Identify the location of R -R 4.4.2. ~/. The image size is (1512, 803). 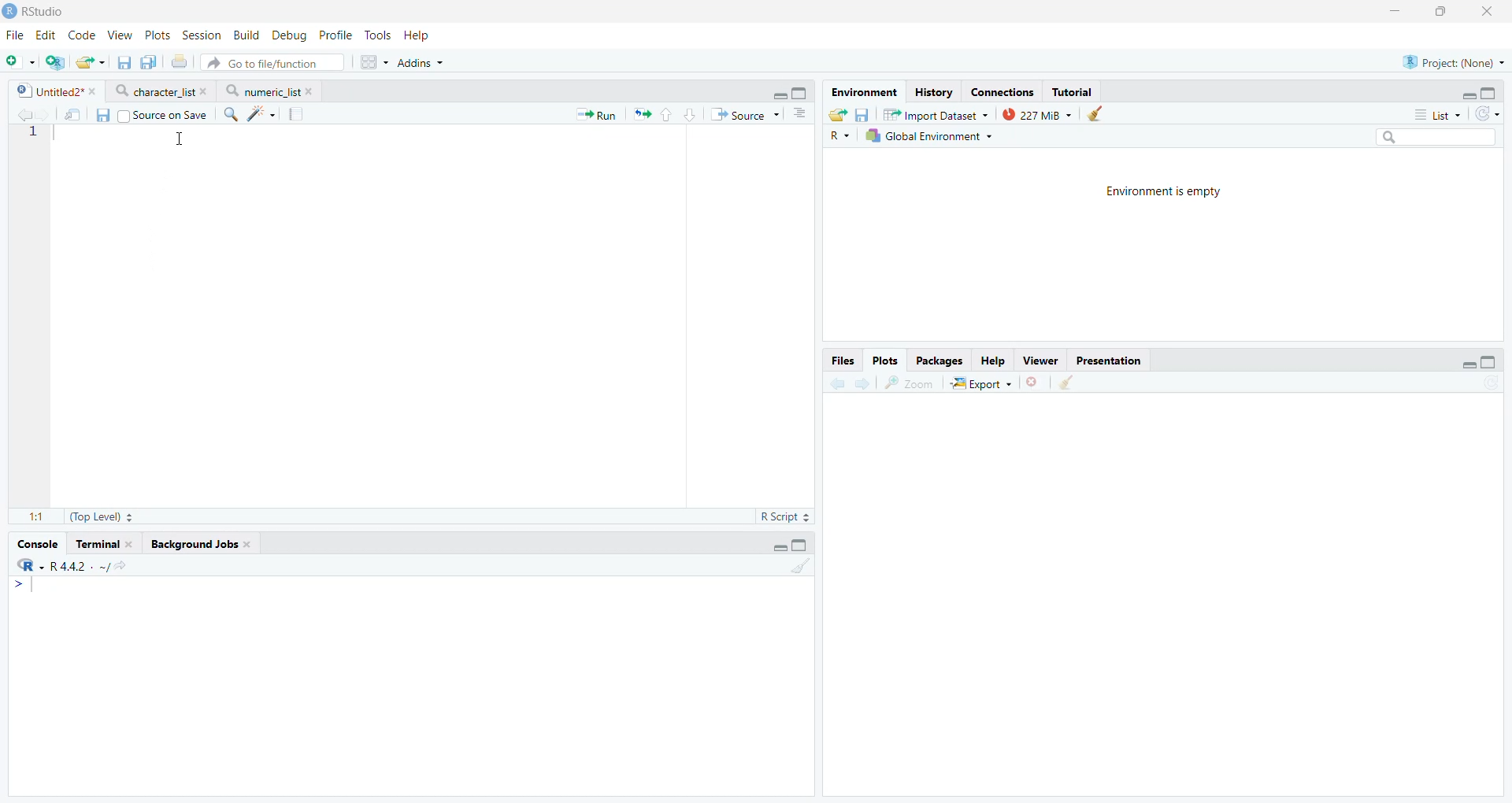
(72, 565).